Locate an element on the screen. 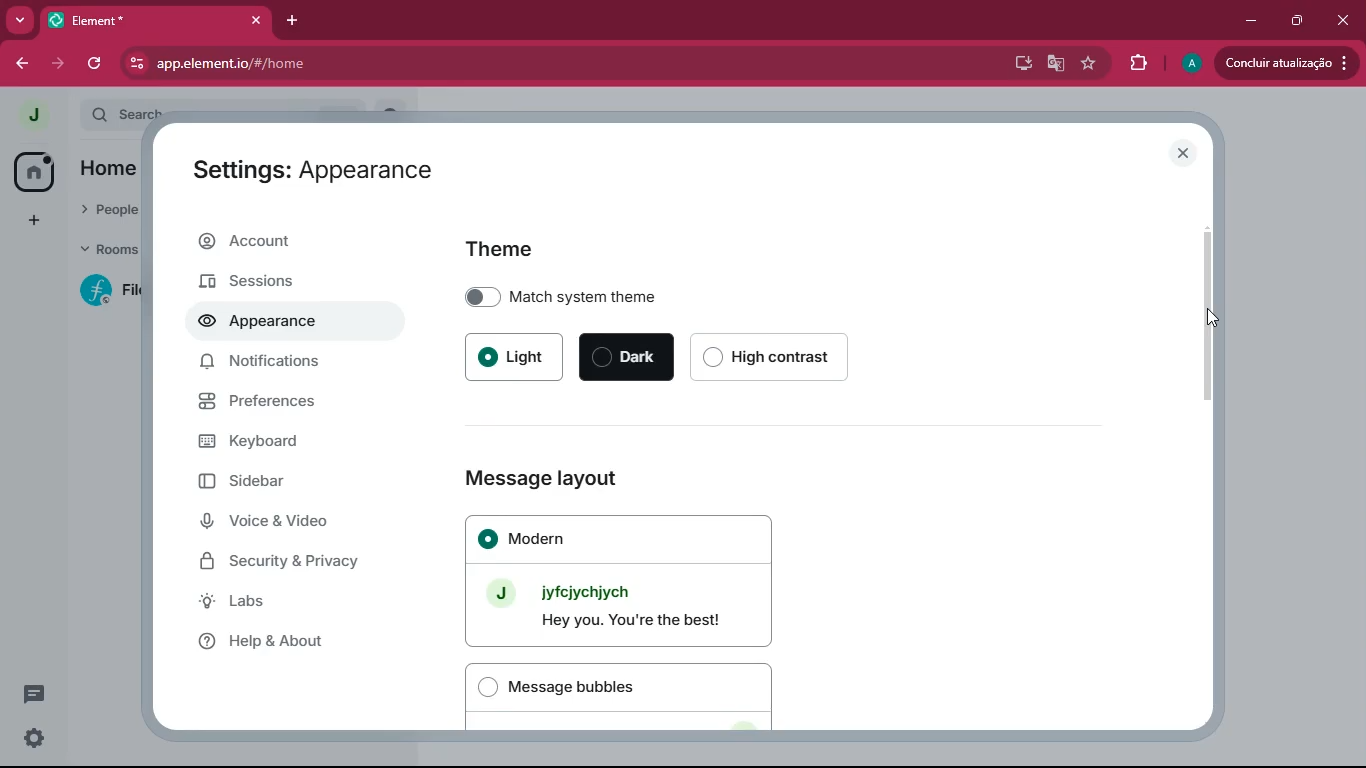 The height and width of the screenshot is (768, 1366). profile picture is located at coordinates (28, 115).